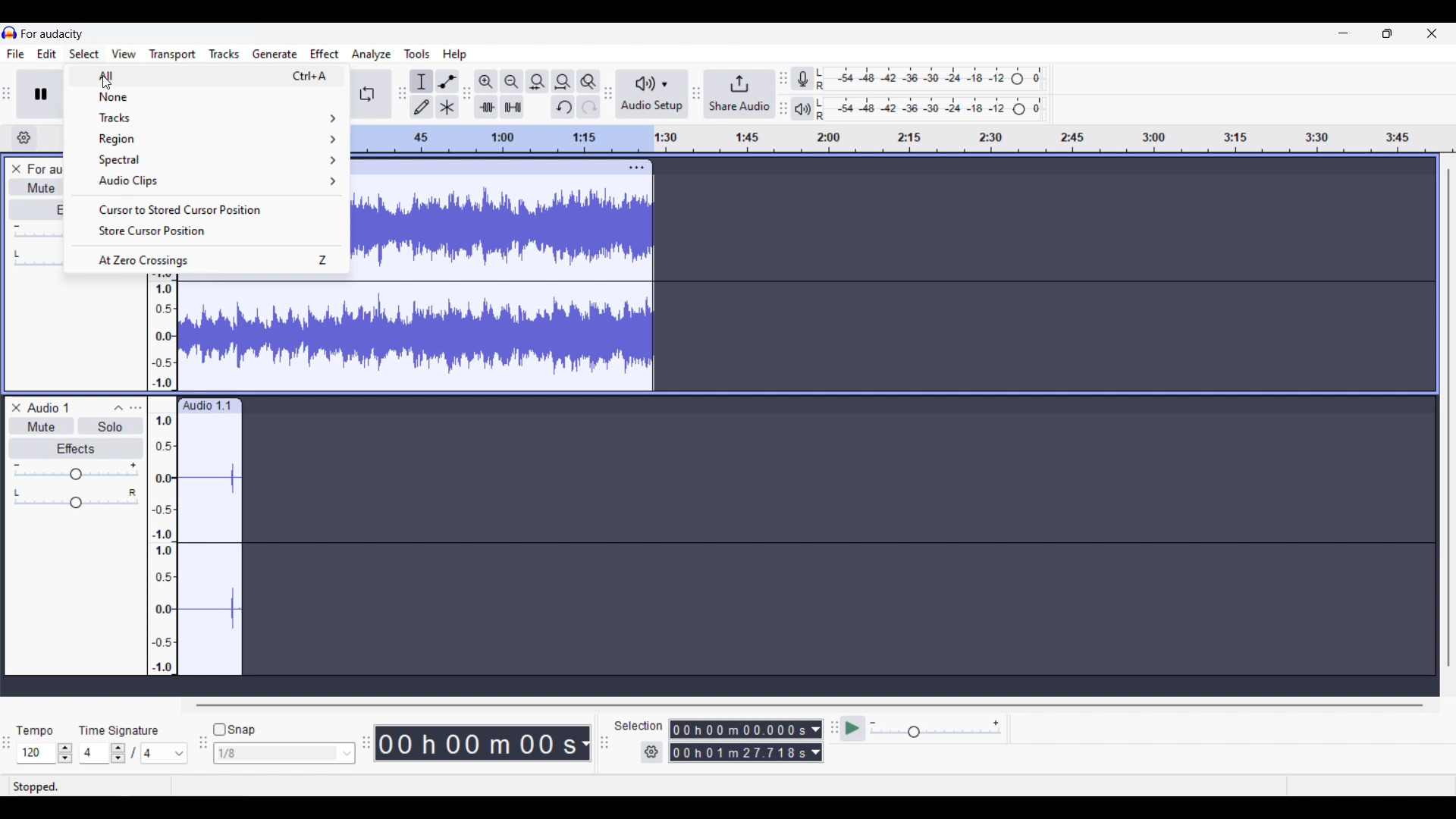 The height and width of the screenshot is (819, 1456). Describe the element at coordinates (209, 548) in the screenshot. I see `track waveform` at that location.